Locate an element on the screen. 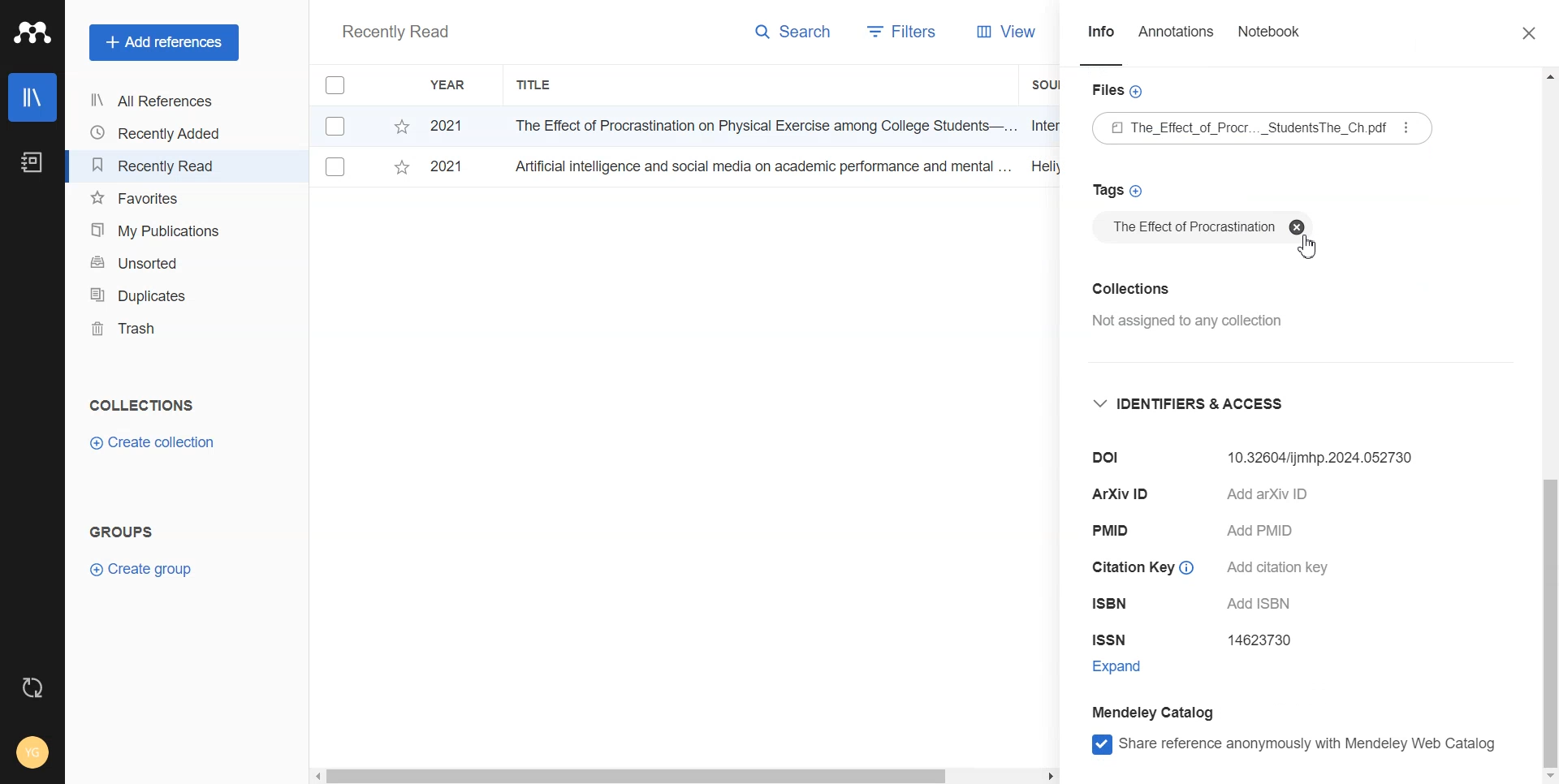 The image size is (1559, 784). PMID Add PMID is located at coordinates (1200, 533).